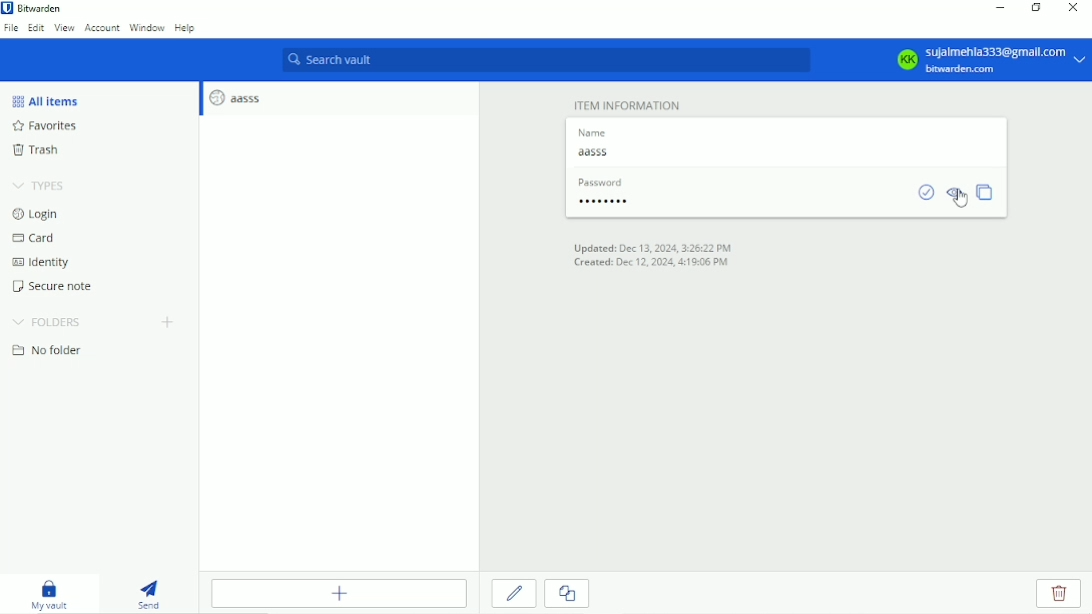  What do you see at coordinates (626, 102) in the screenshot?
I see `Item information` at bounding box center [626, 102].